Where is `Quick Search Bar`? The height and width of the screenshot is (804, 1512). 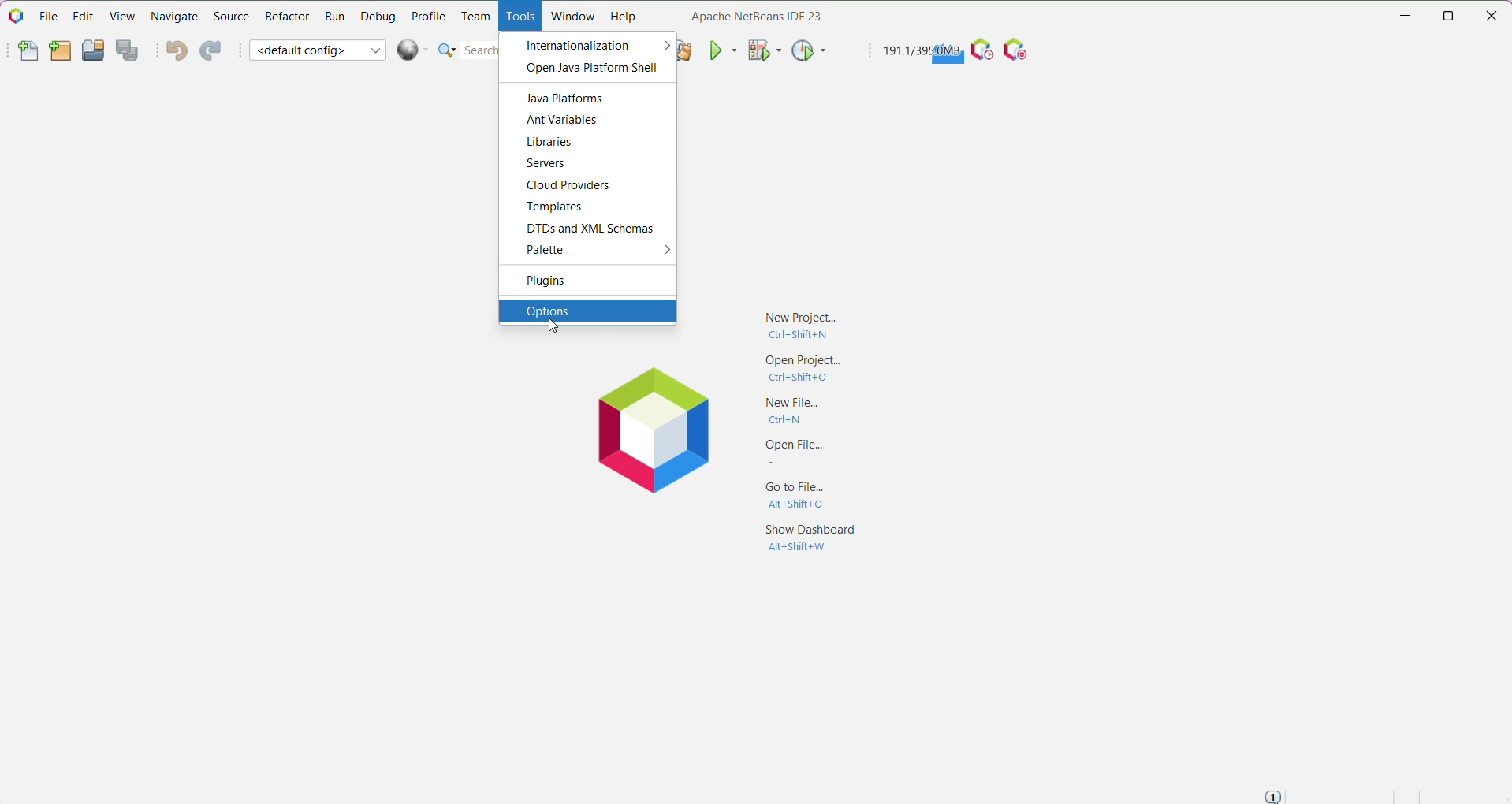 Quick Search Bar is located at coordinates (467, 50).